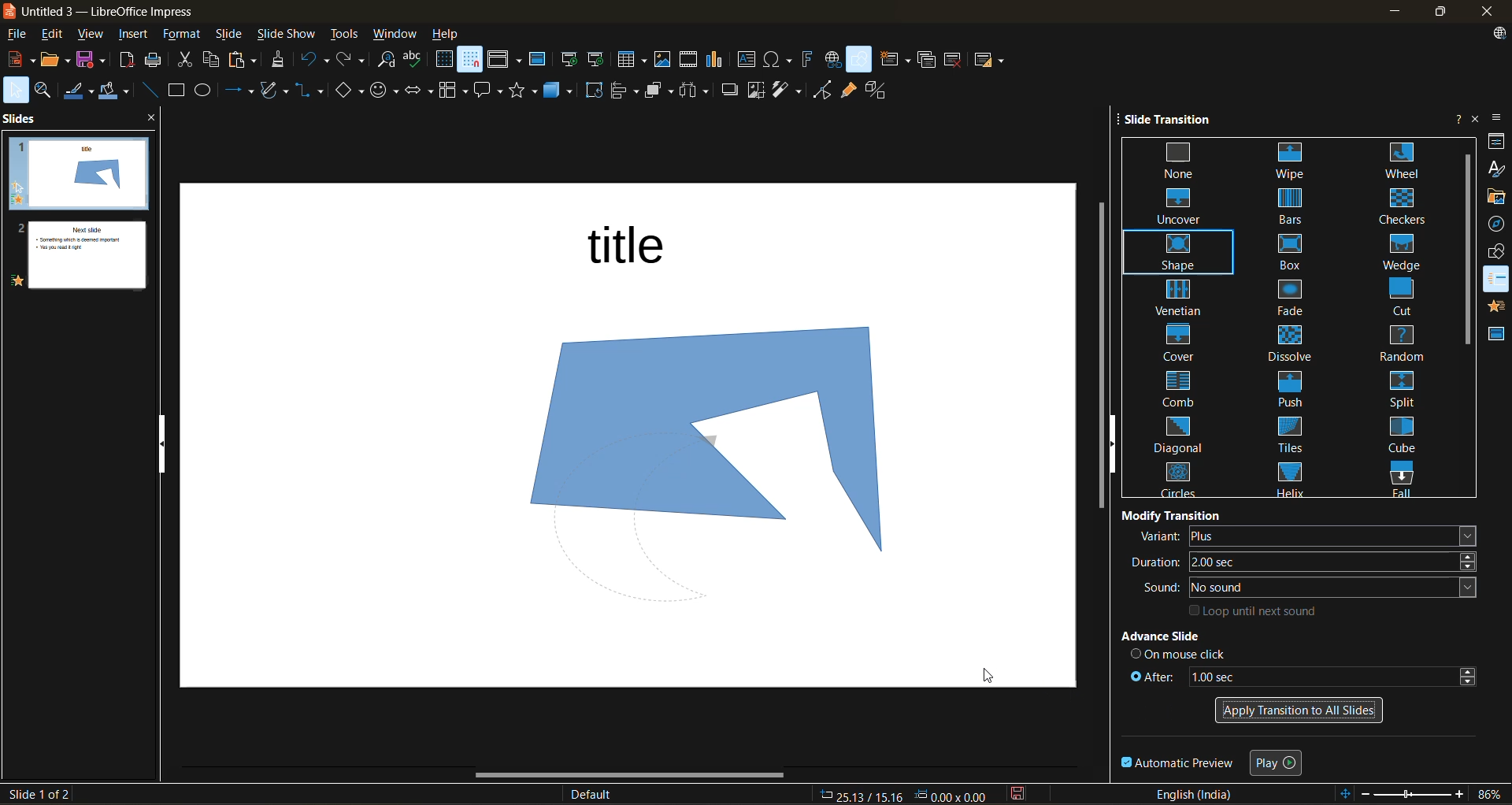  I want to click on insert text box, so click(750, 61).